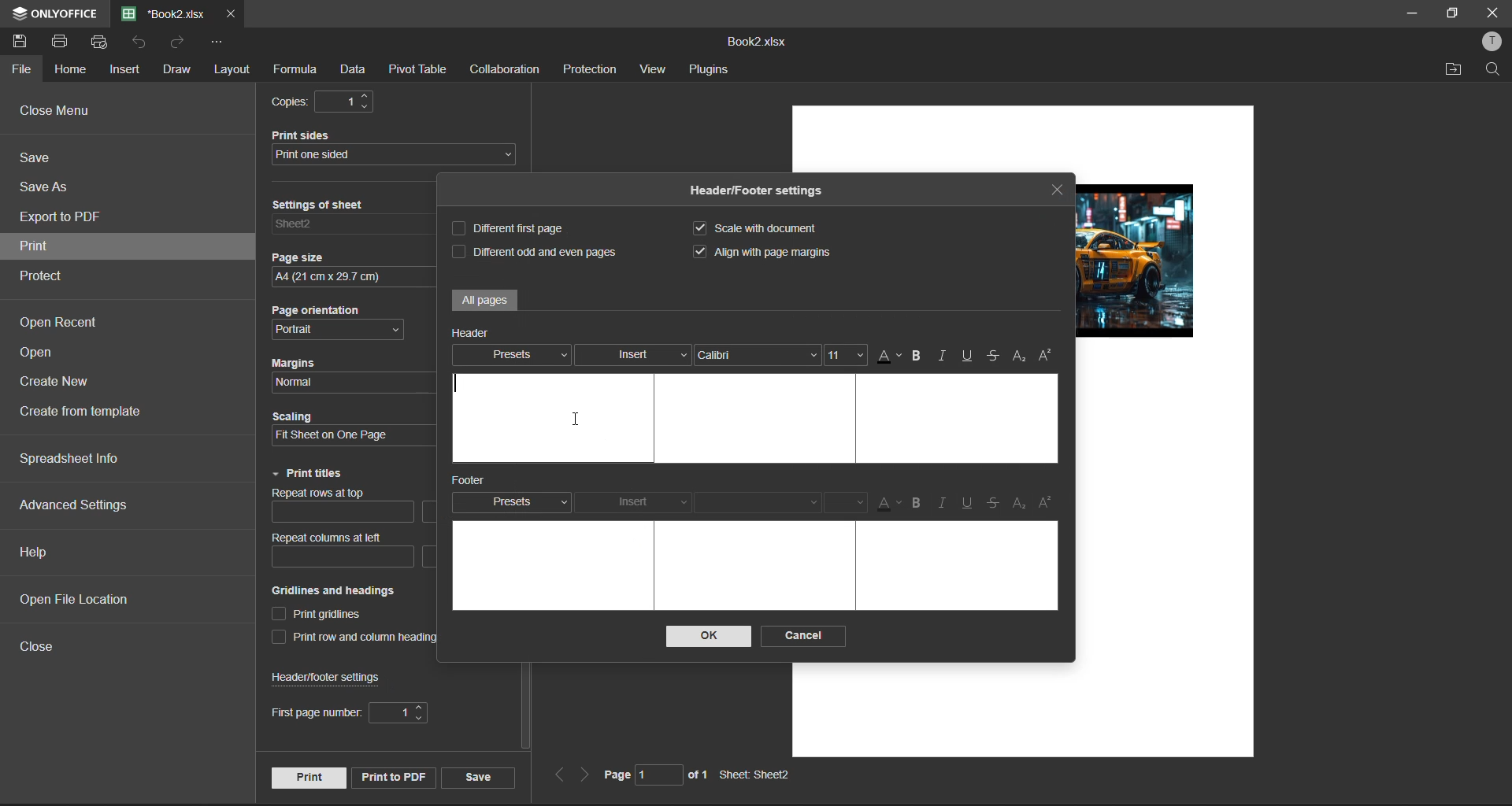  I want to click on previous, so click(559, 775).